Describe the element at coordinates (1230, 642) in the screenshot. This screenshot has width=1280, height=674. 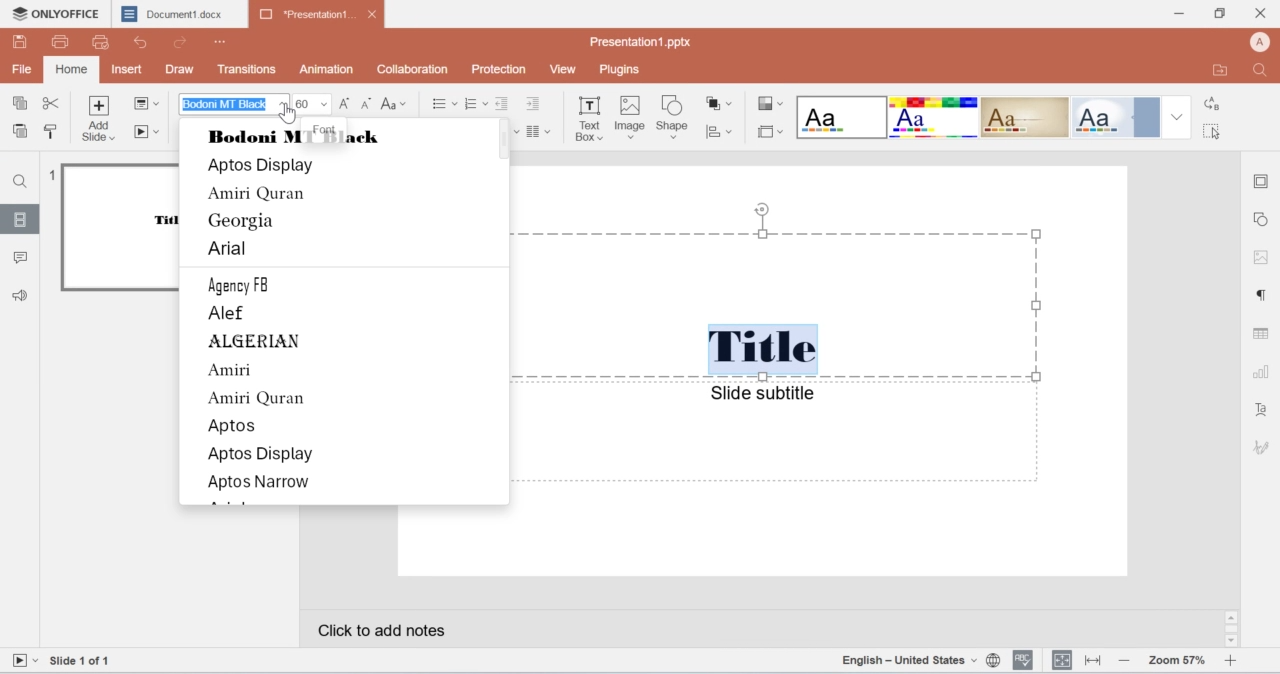
I see `scroll down` at that location.